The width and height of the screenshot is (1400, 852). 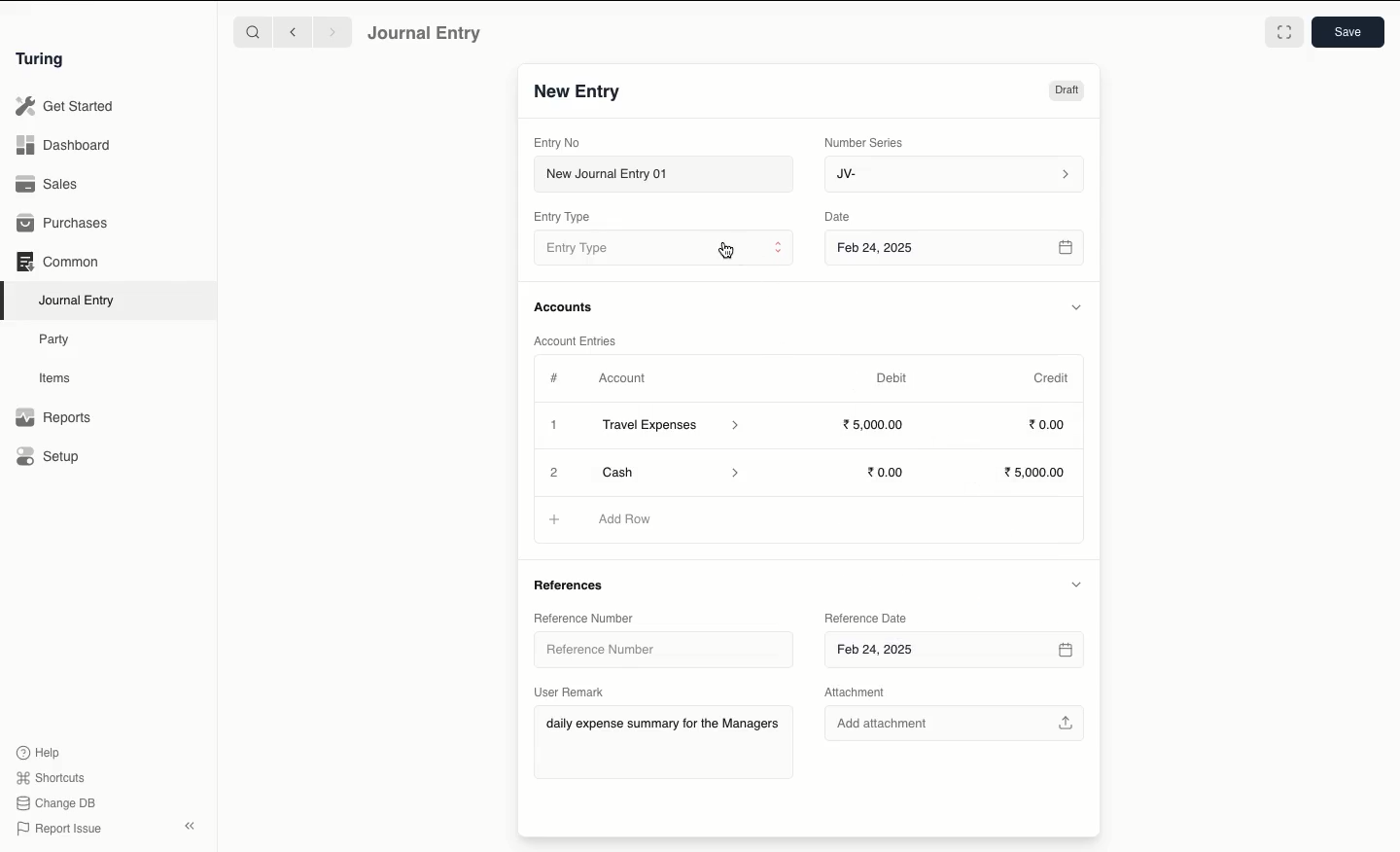 I want to click on Save, so click(x=1348, y=32).